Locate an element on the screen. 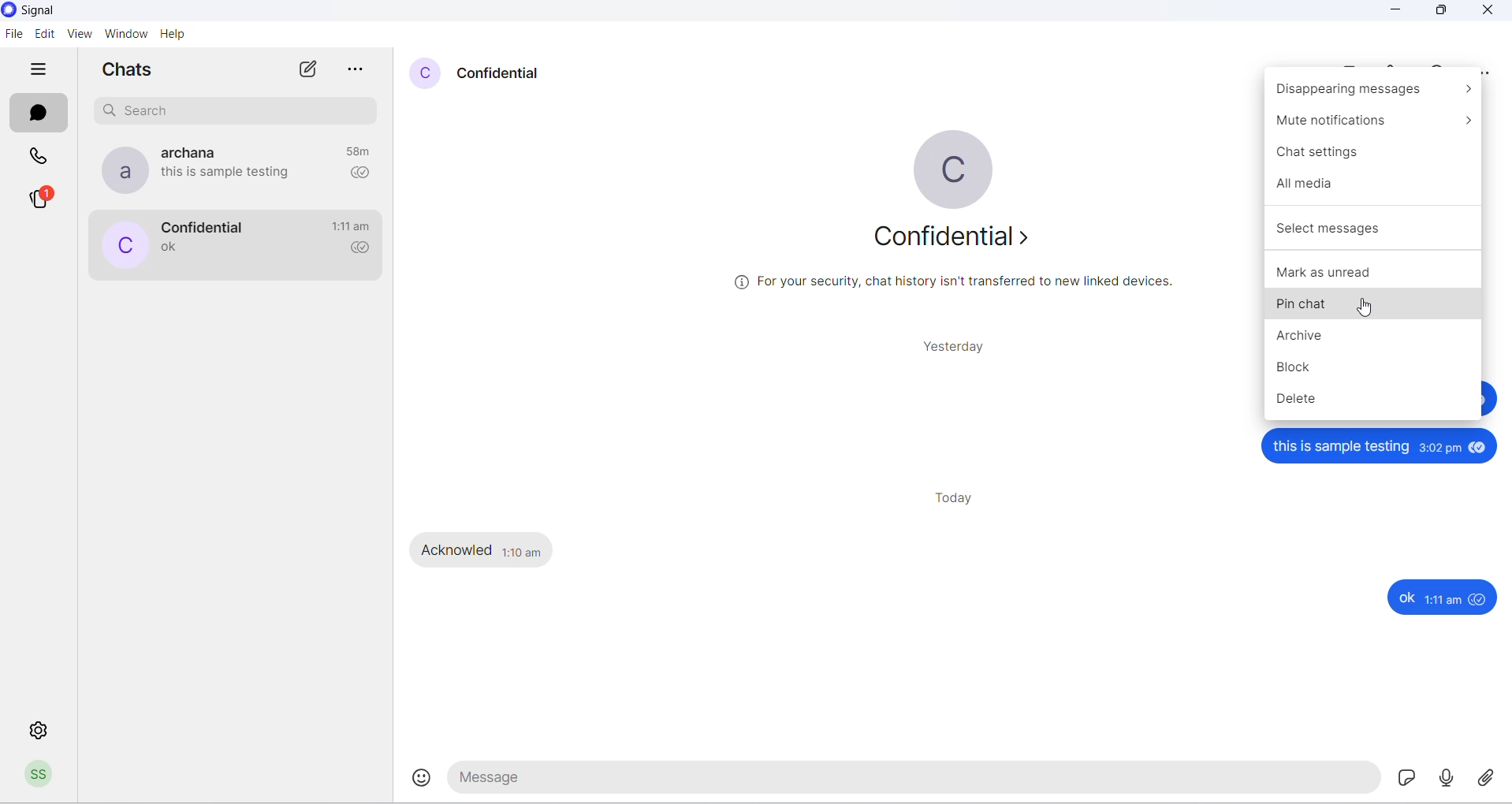 The height and width of the screenshot is (804, 1512). all media is located at coordinates (1376, 183).